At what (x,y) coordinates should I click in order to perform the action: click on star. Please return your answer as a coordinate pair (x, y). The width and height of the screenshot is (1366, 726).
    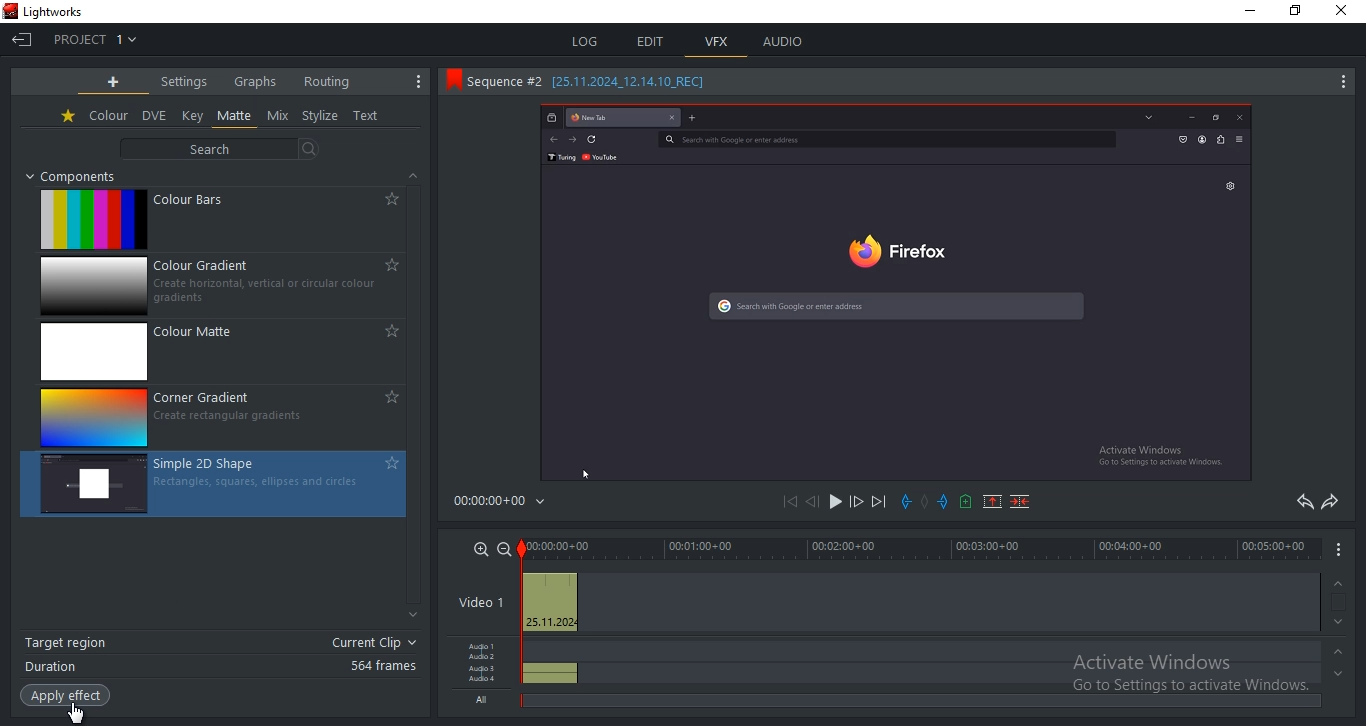
    Looking at the image, I should click on (69, 117).